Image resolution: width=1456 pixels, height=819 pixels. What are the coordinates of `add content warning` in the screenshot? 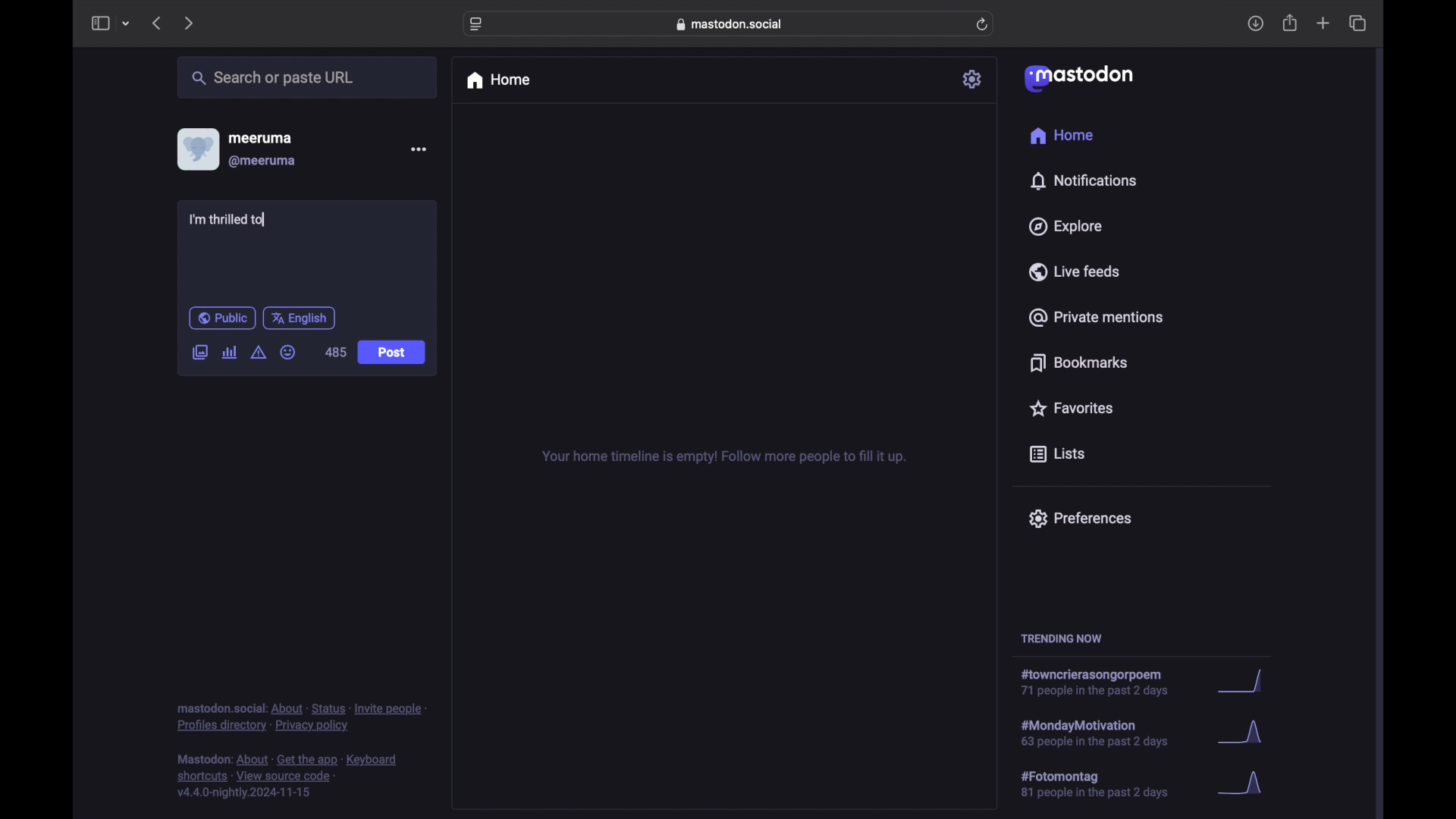 It's located at (260, 353).